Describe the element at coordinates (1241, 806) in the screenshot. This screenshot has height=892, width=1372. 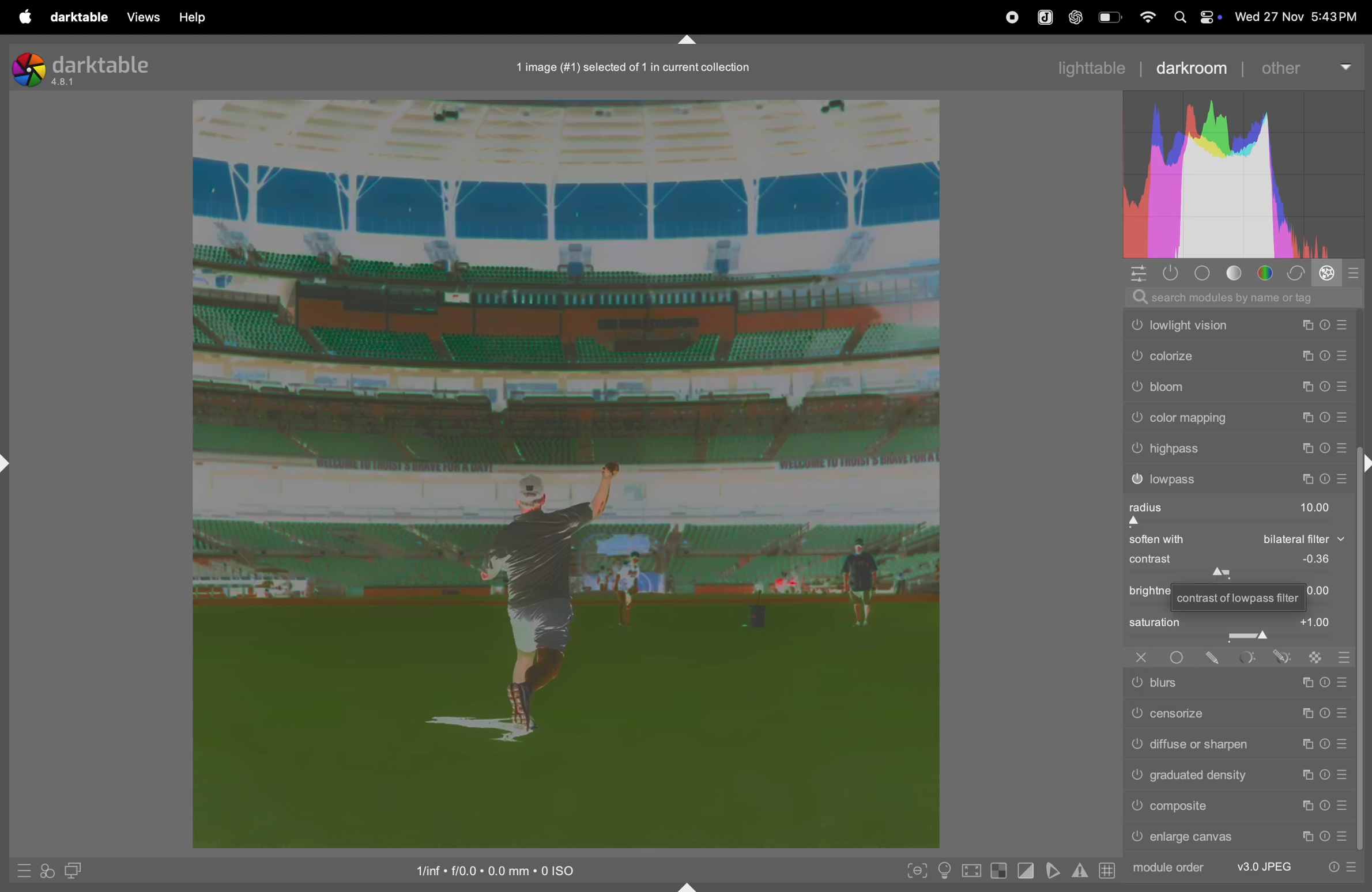
I see `composite` at that location.